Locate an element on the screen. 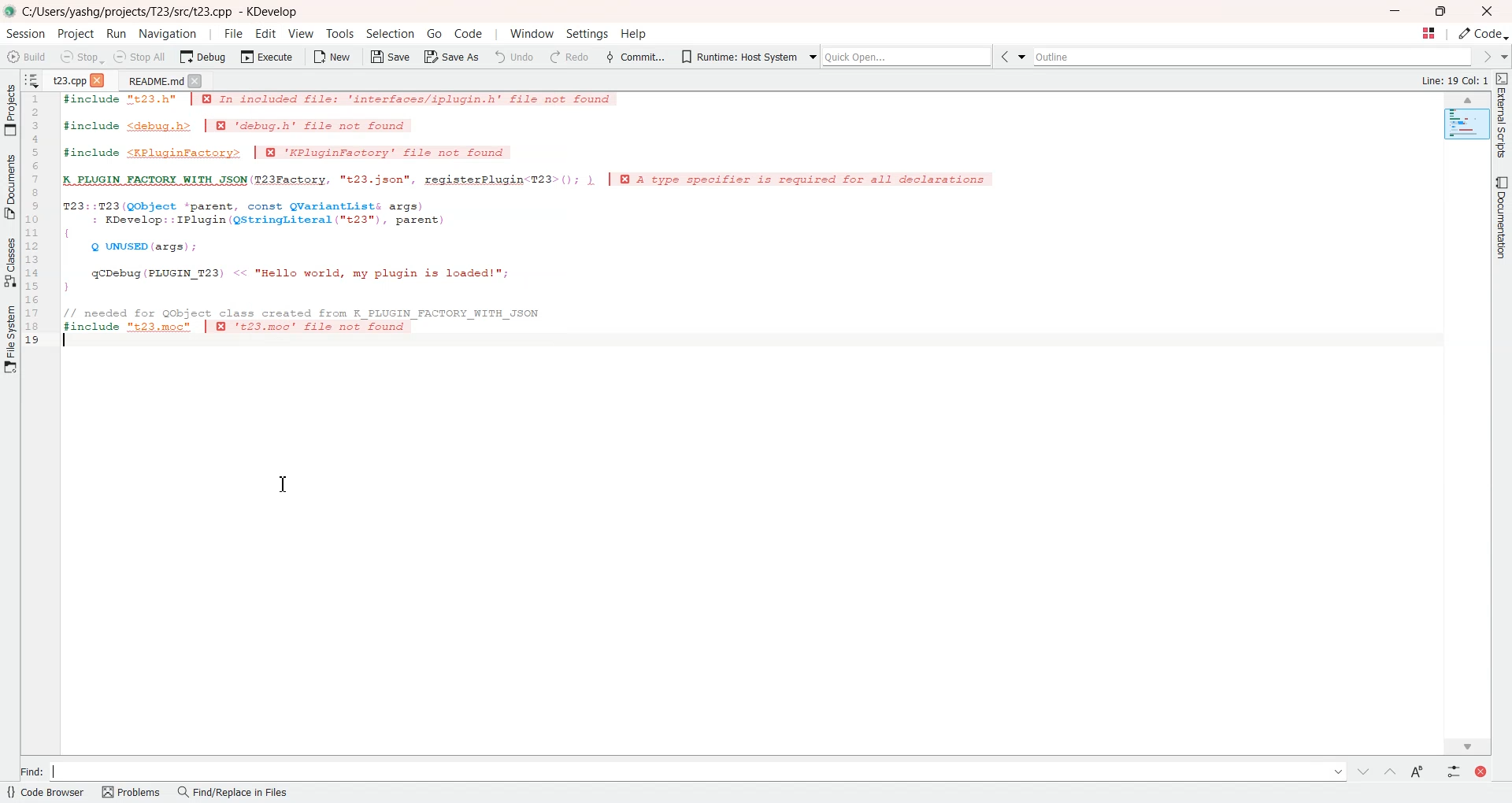 The width and height of the screenshot is (1512, 803). Jump to previous Match is located at coordinates (1389, 771).